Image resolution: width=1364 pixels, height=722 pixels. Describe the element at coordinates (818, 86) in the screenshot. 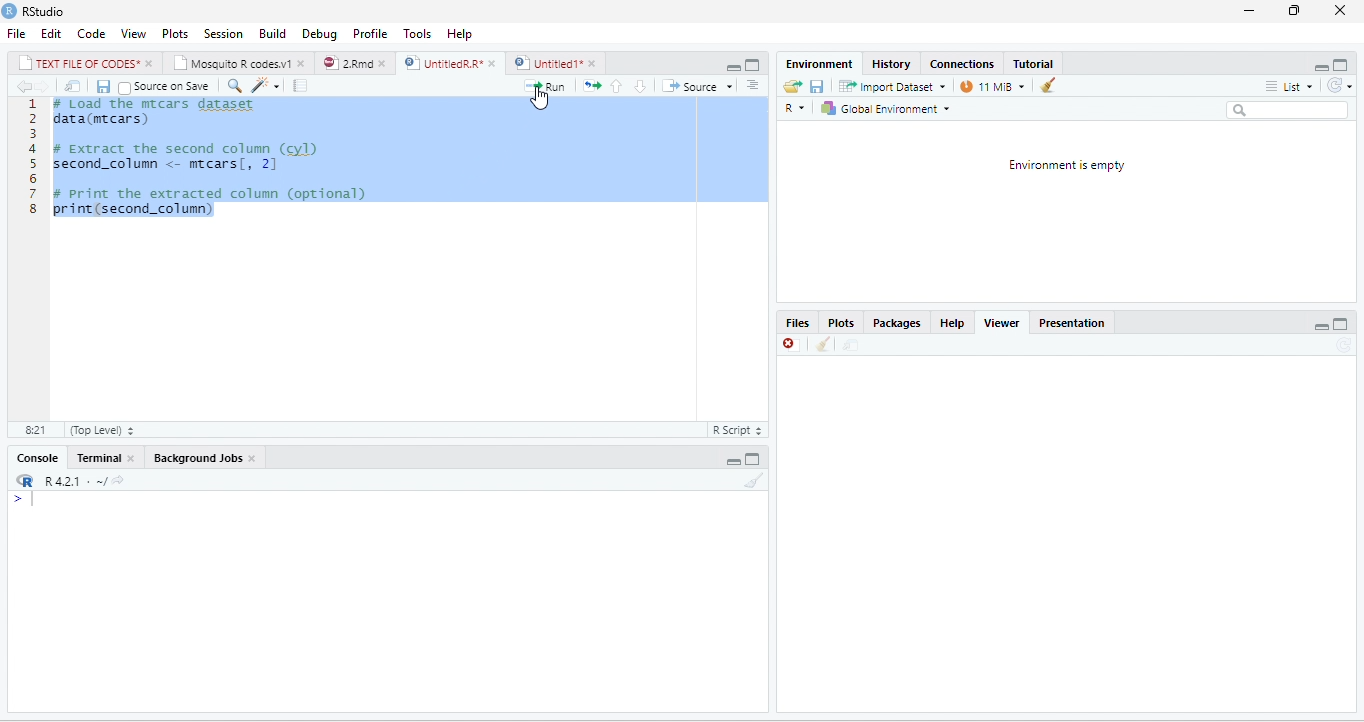

I see `save ` at that location.